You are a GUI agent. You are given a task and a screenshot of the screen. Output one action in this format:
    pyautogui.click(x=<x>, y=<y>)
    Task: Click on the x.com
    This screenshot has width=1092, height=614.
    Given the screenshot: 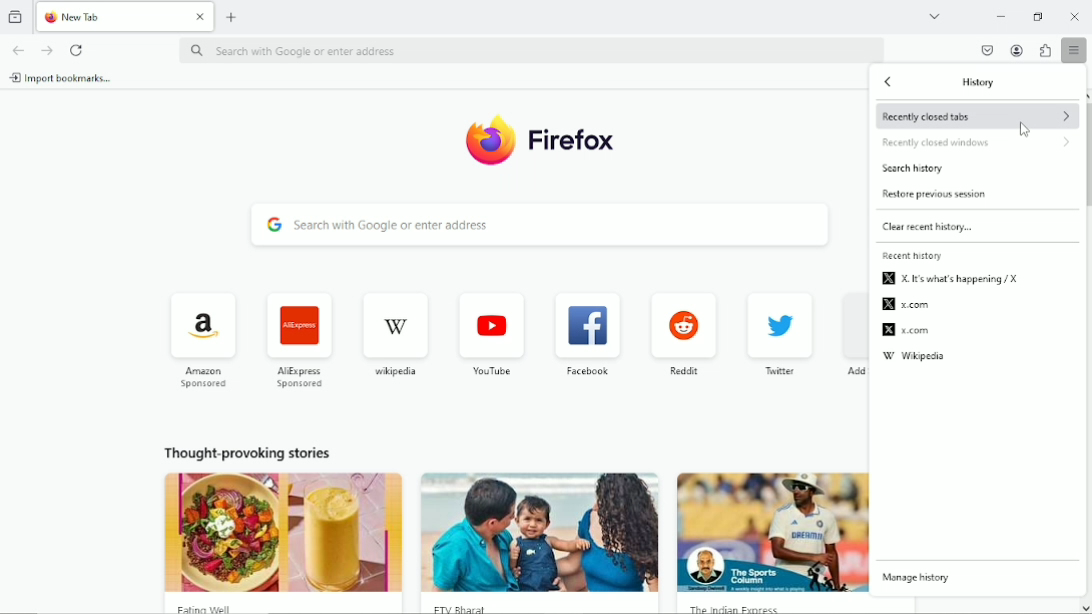 What is the action you would take?
    pyautogui.click(x=906, y=331)
    